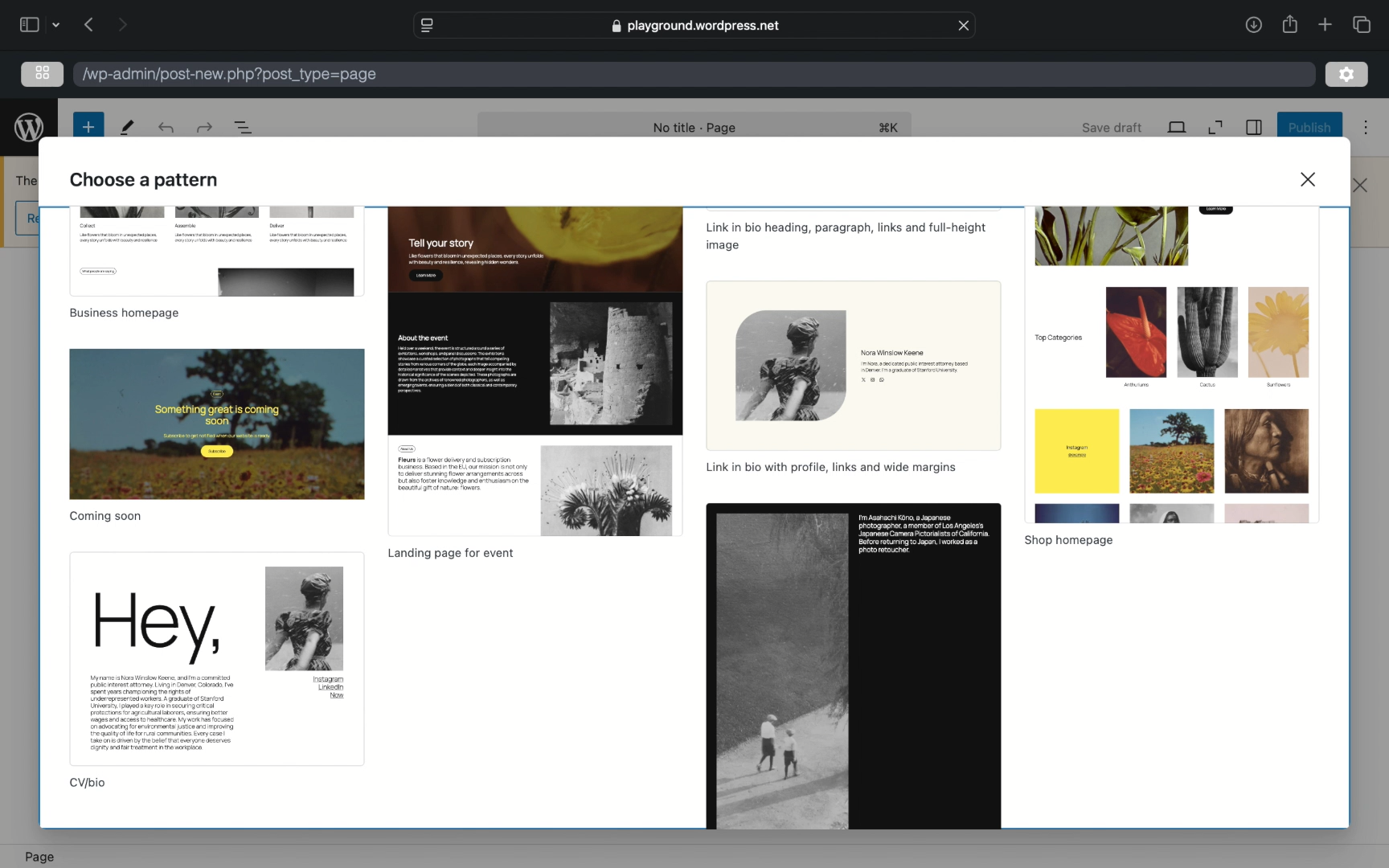 The height and width of the screenshot is (868, 1389). I want to click on preview, so click(535, 371).